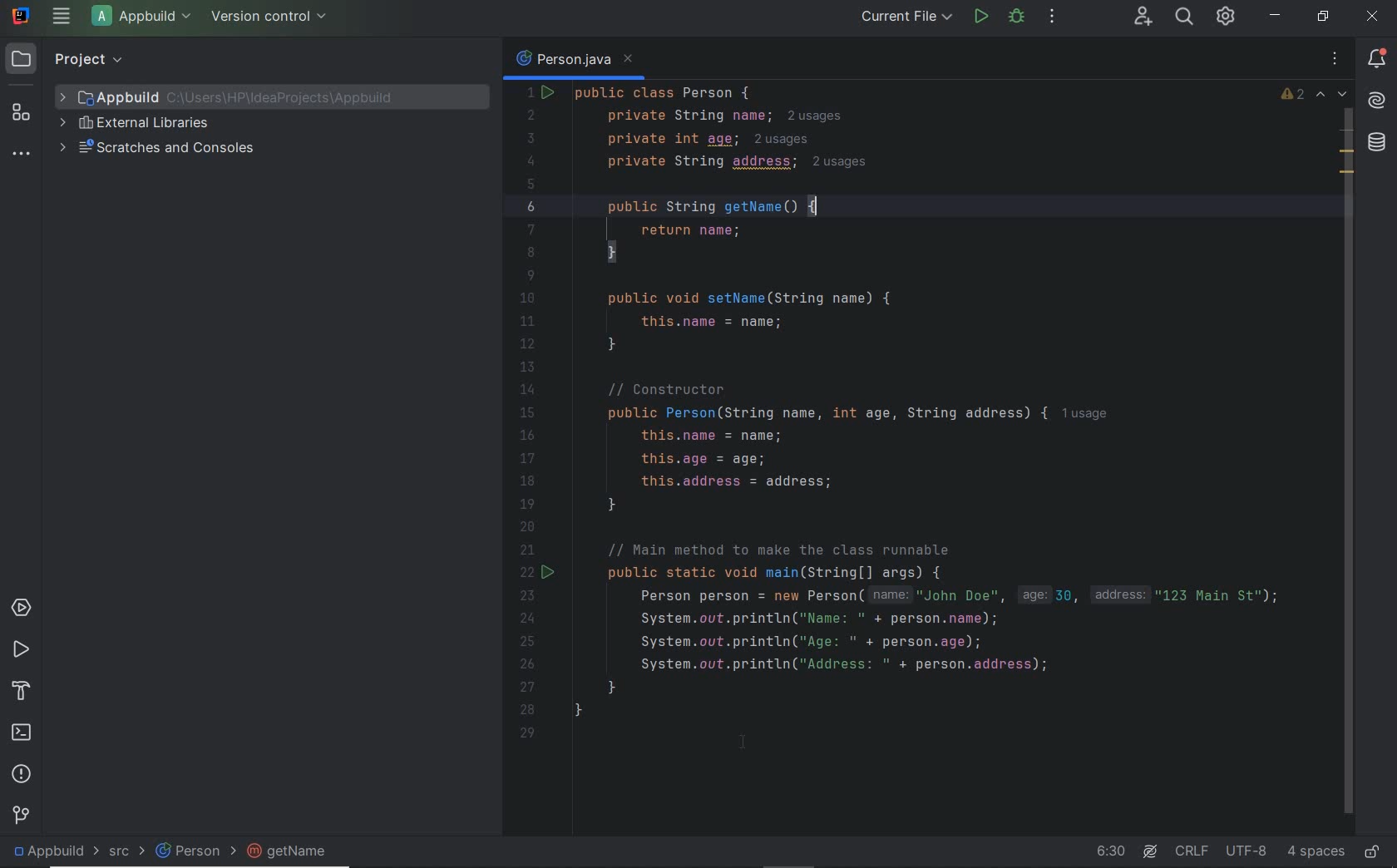 The width and height of the screenshot is (1397, 868). I want to click on project file name, so click(145, 18).